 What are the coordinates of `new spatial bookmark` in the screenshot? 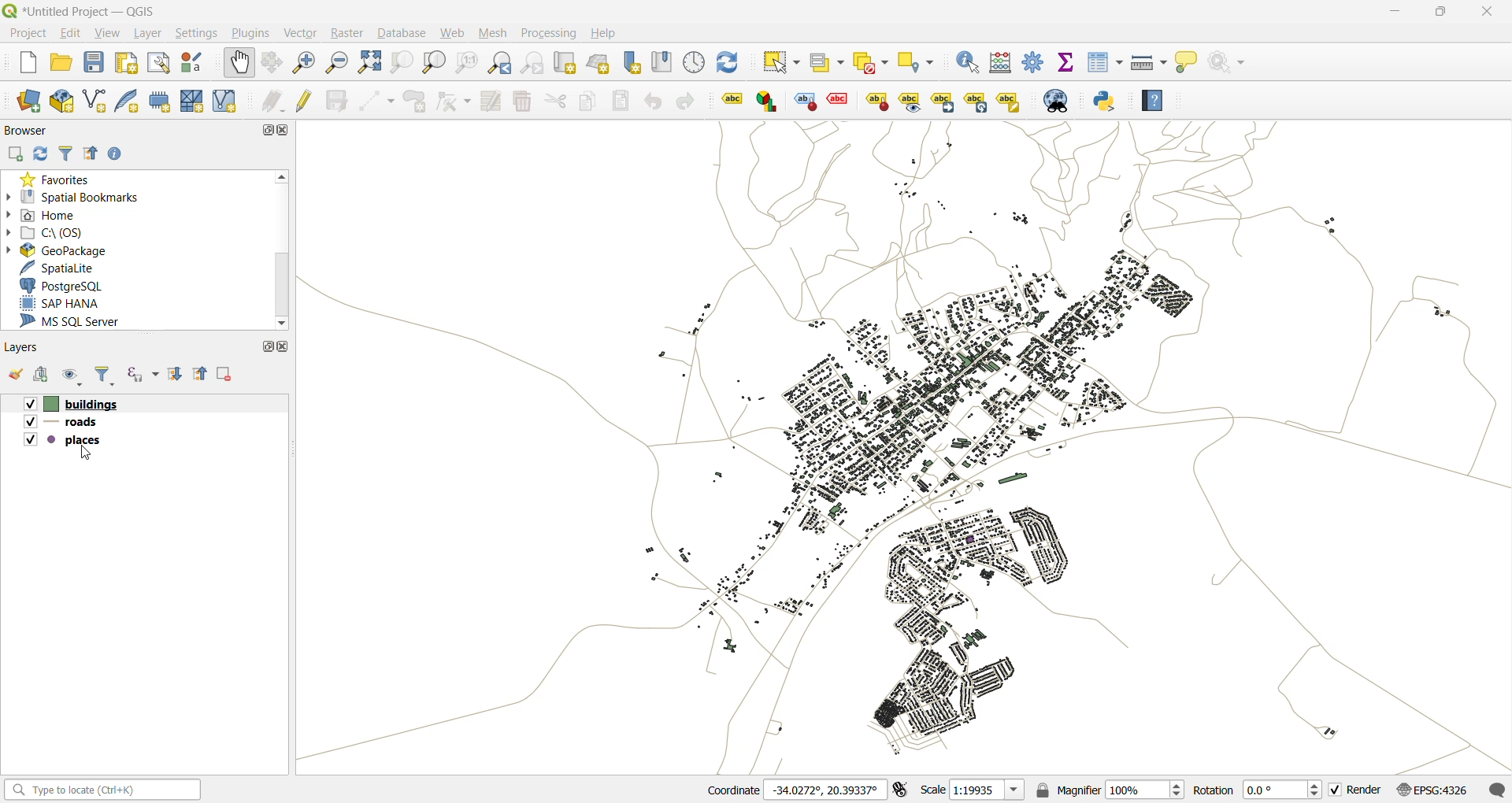 It's located at (632, 63).